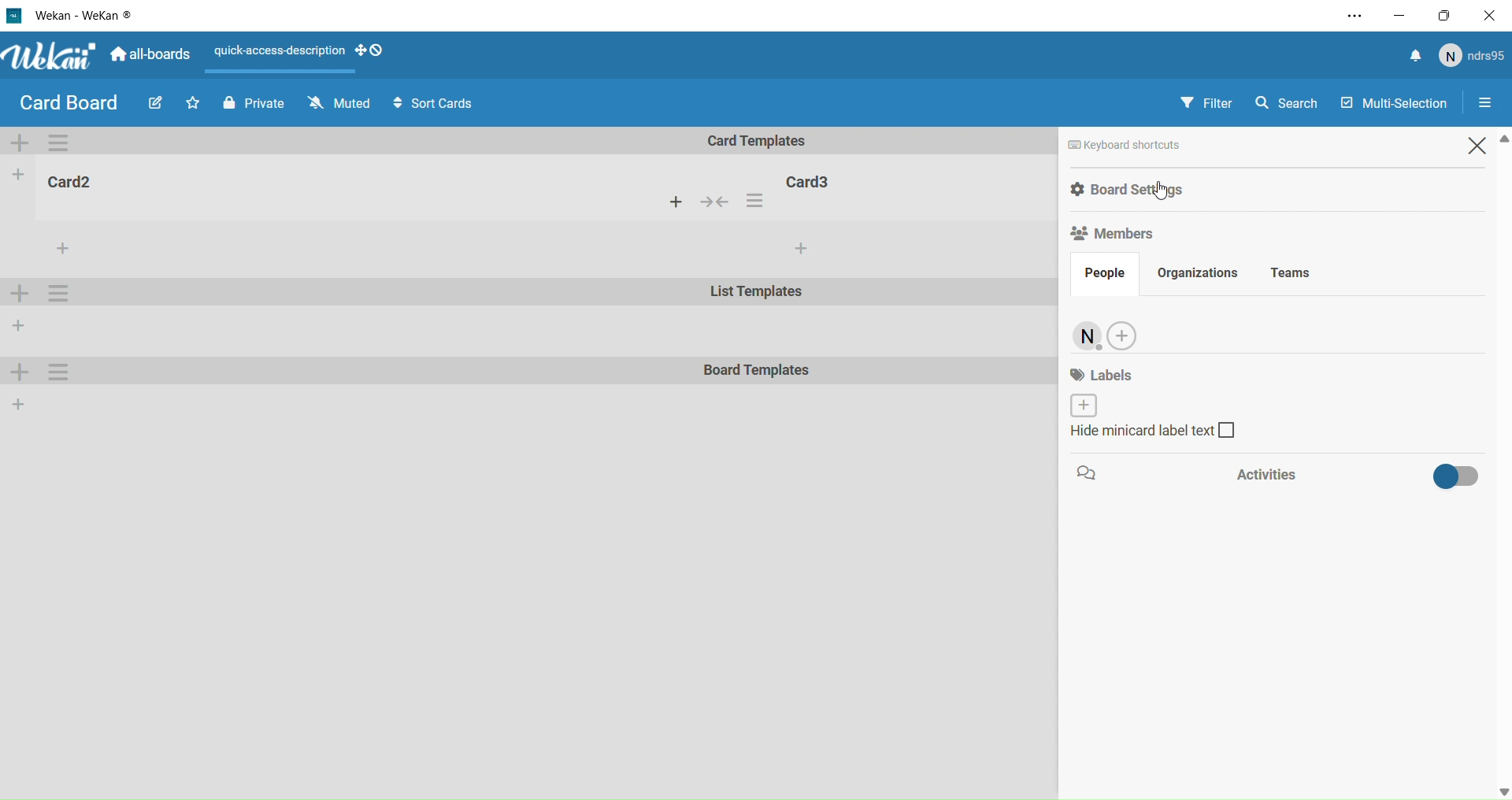 The height and width of the screenshot is (800, 1512). Describe the element at coordinates (1207, 270) in the screenshot. I see `Organizations` at that location.